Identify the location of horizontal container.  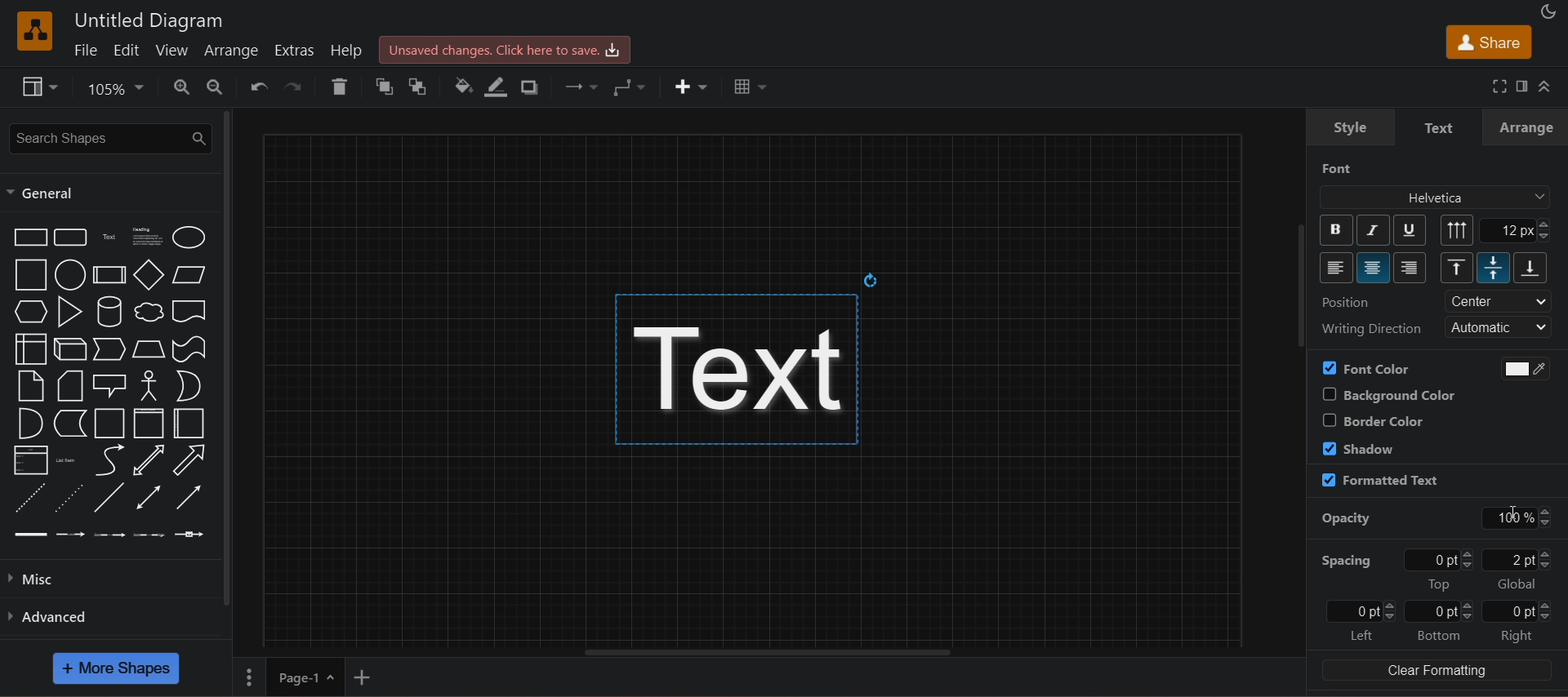
(190, 424).